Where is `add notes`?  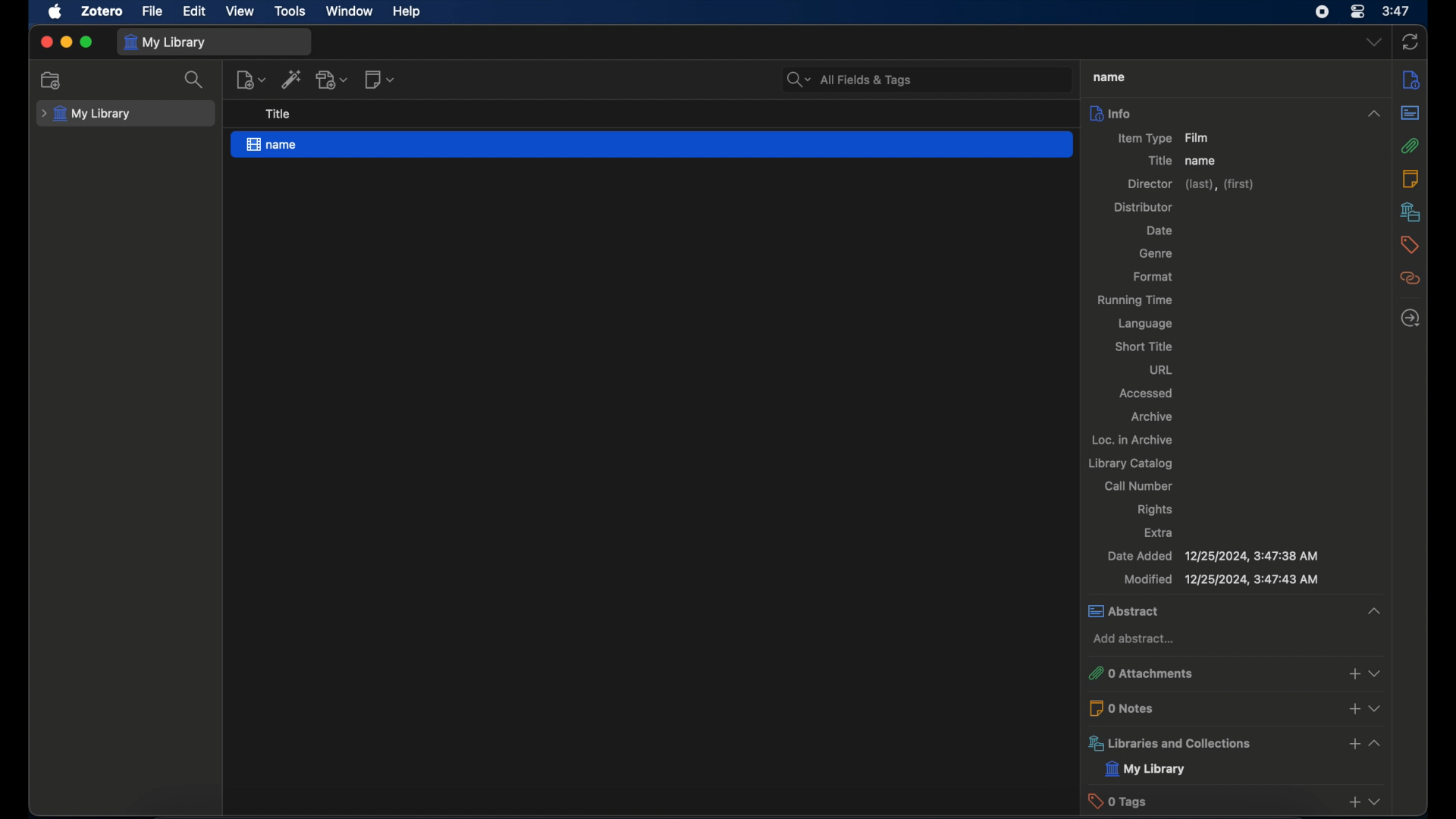
add notes is located at coordinates (1354, 706).